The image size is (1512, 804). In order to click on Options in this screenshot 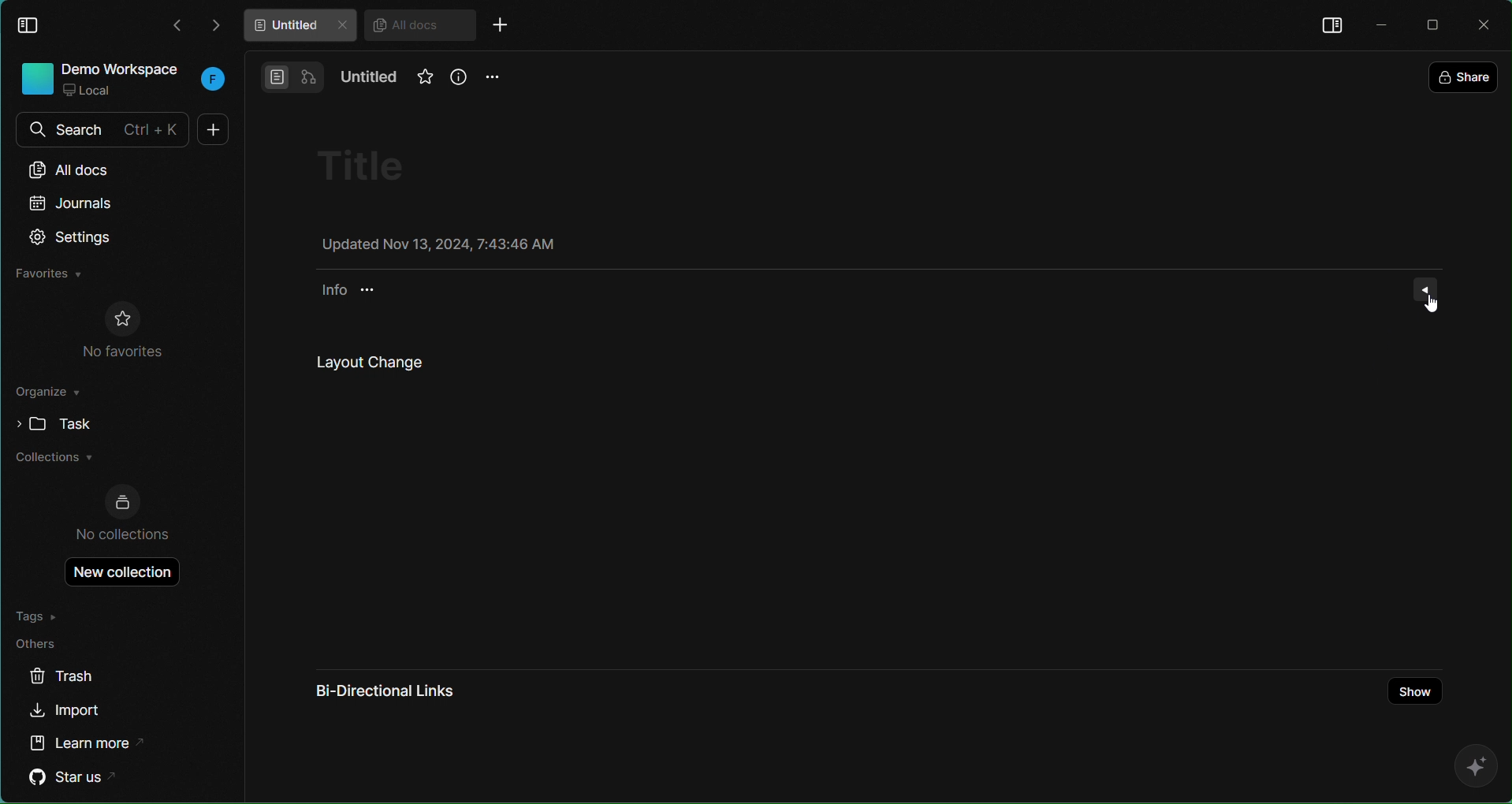, I will do `click(1427, 288)`.